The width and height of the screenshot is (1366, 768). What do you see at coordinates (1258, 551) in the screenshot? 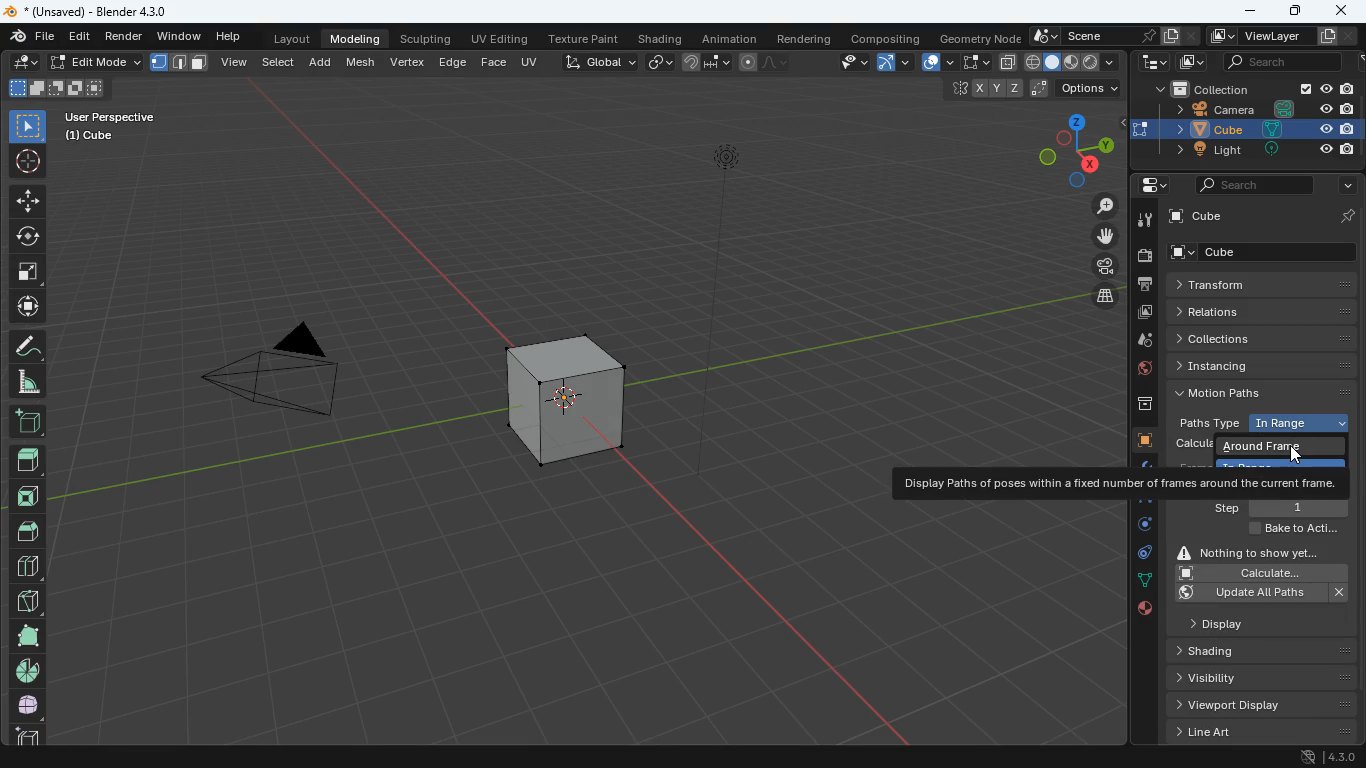
I see `warning` at bounding box center [1258, 551].